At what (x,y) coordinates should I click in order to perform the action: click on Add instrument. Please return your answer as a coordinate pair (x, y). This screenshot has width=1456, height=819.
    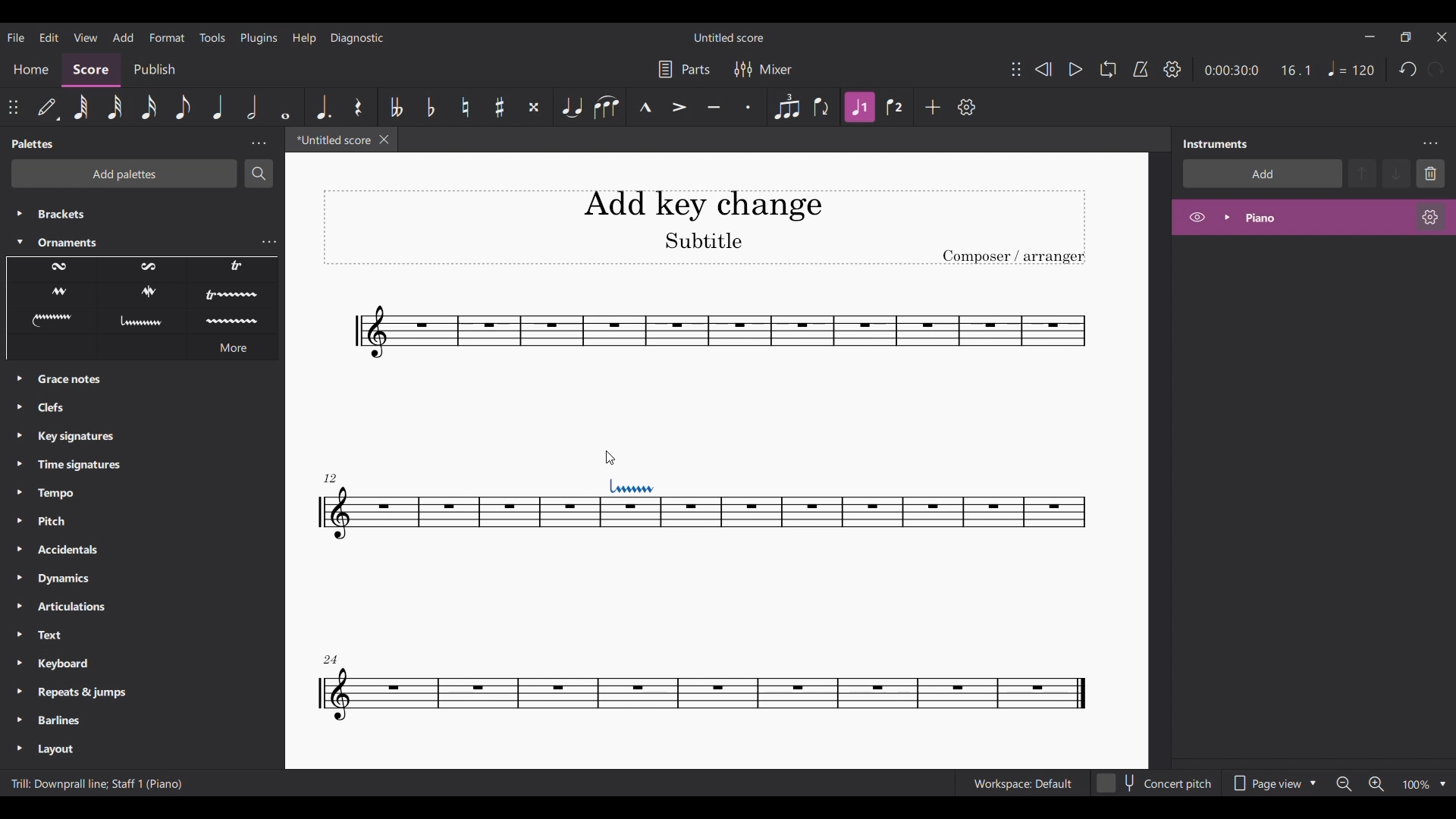
    Looking at the image, I should click on (1263, 174).